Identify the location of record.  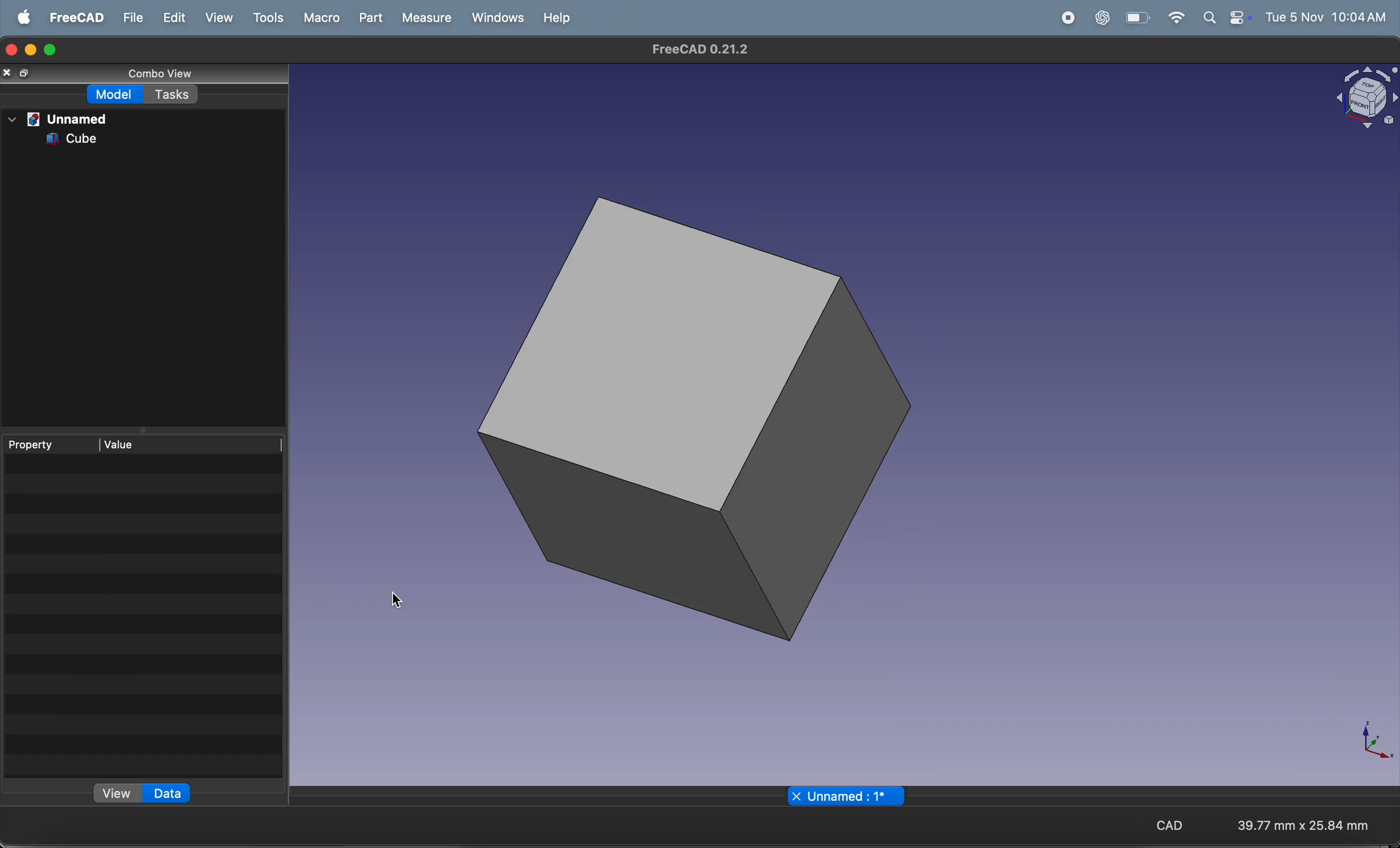
(1064, 16).